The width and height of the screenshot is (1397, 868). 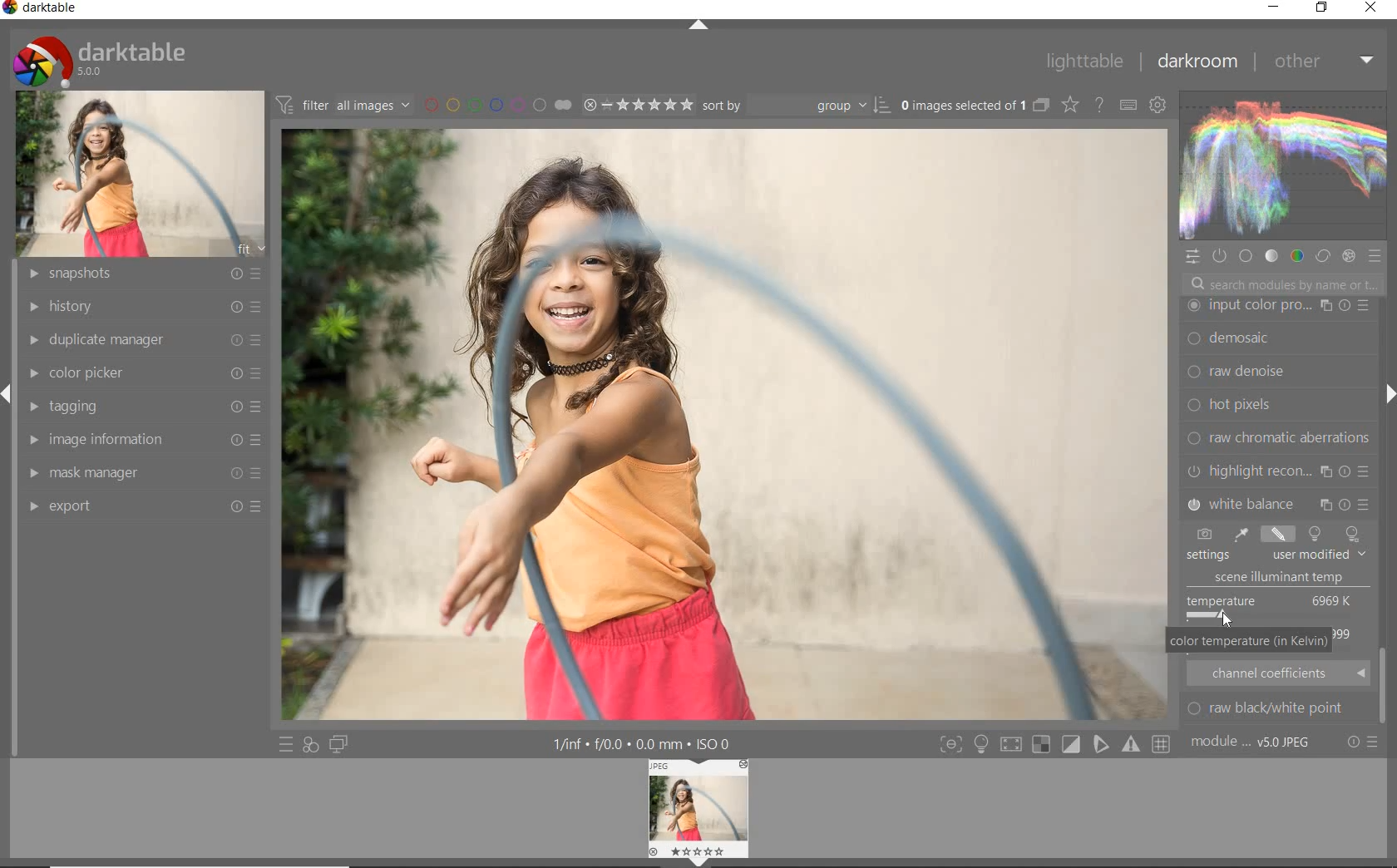 What do you see at coordinates (1133, 745) in the screenshot?
I see `toggle mode ` at bounding box center [1133, 745].